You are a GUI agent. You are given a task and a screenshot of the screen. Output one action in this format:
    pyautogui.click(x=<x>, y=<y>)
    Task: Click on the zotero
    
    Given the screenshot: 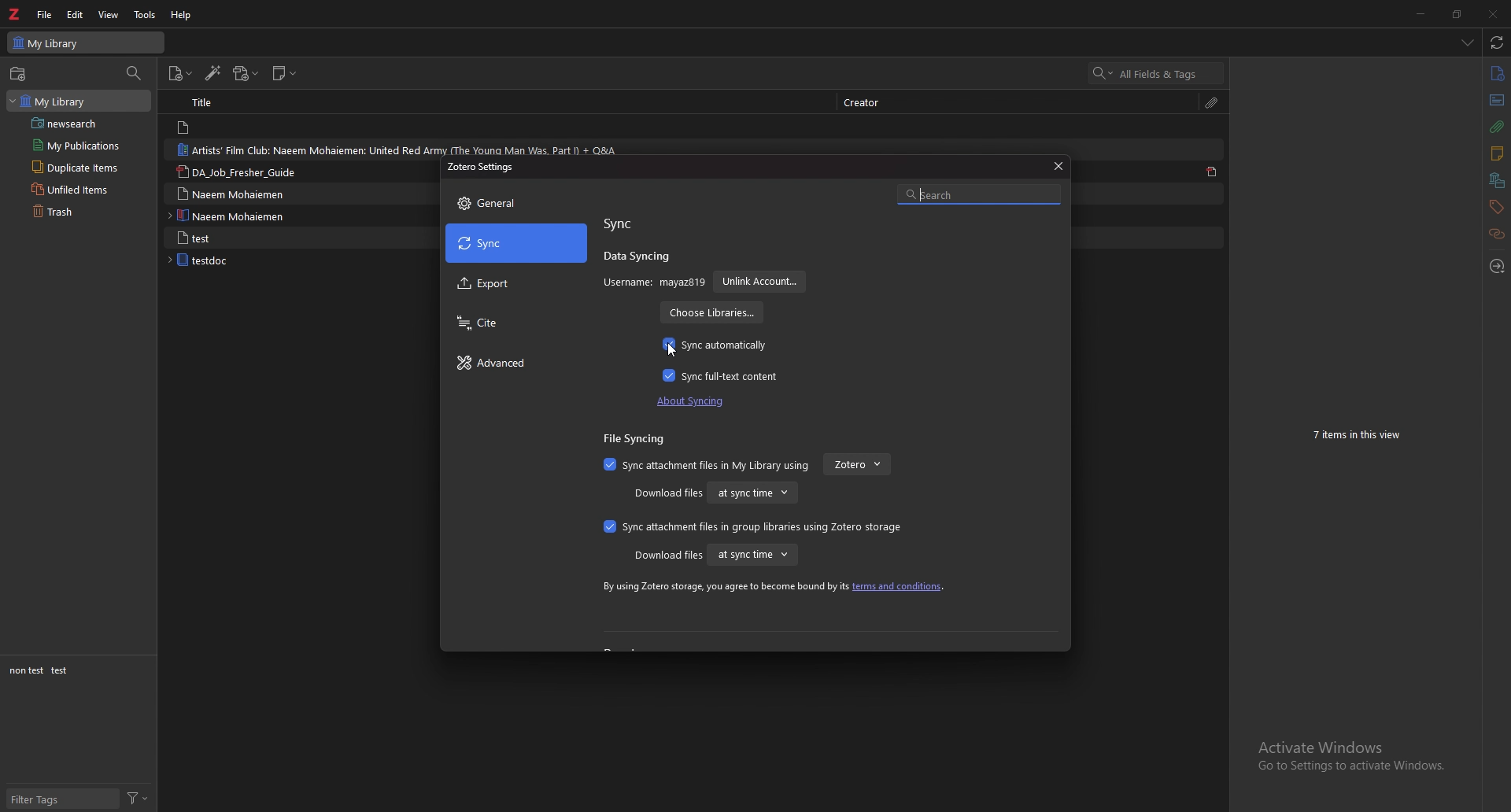 What is the action you would take?
    pyautogui.click(x=15, y=14)
    